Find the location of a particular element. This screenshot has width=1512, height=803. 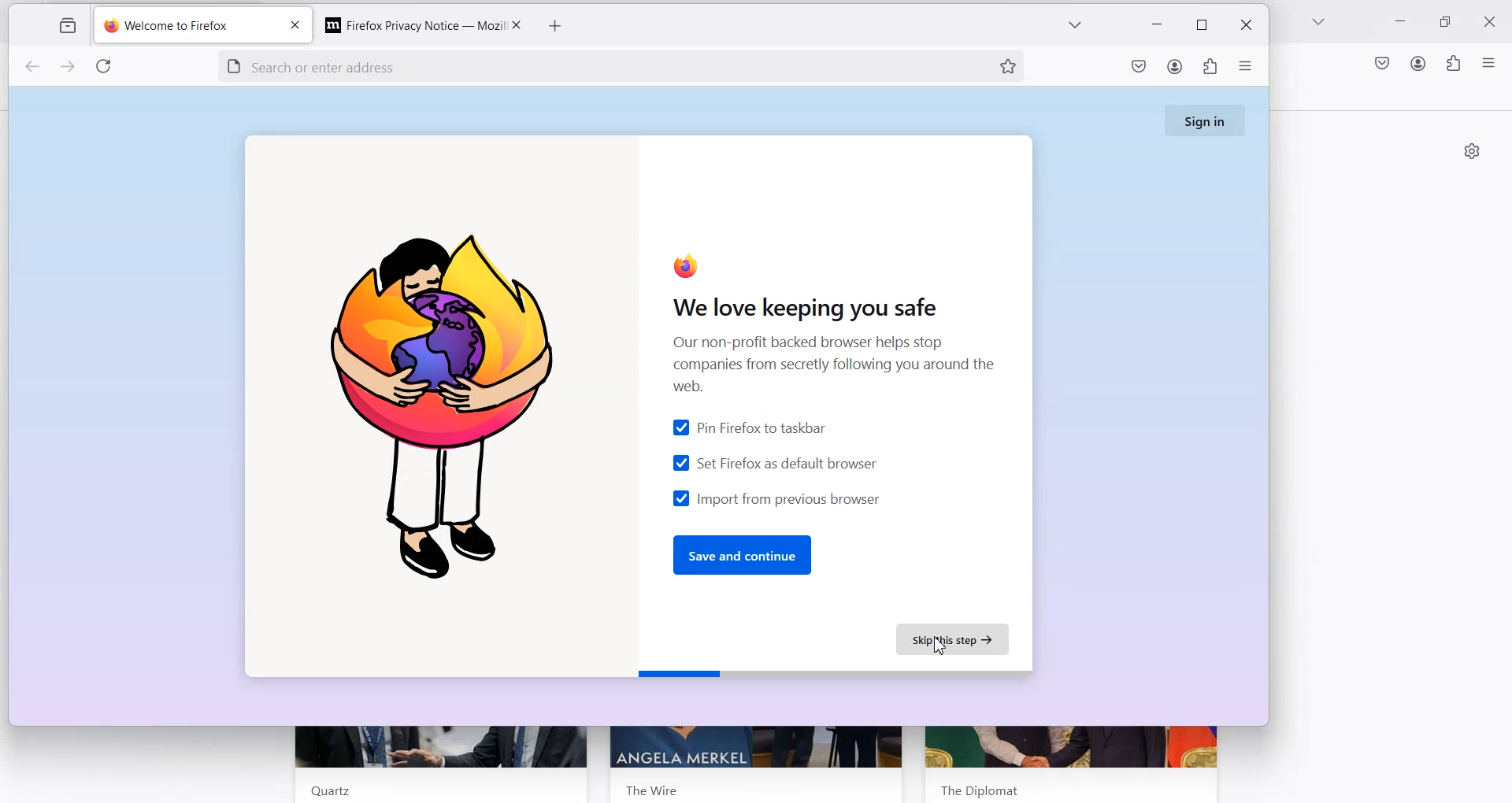

Import from previous browser is located at coordinates (775, 498).